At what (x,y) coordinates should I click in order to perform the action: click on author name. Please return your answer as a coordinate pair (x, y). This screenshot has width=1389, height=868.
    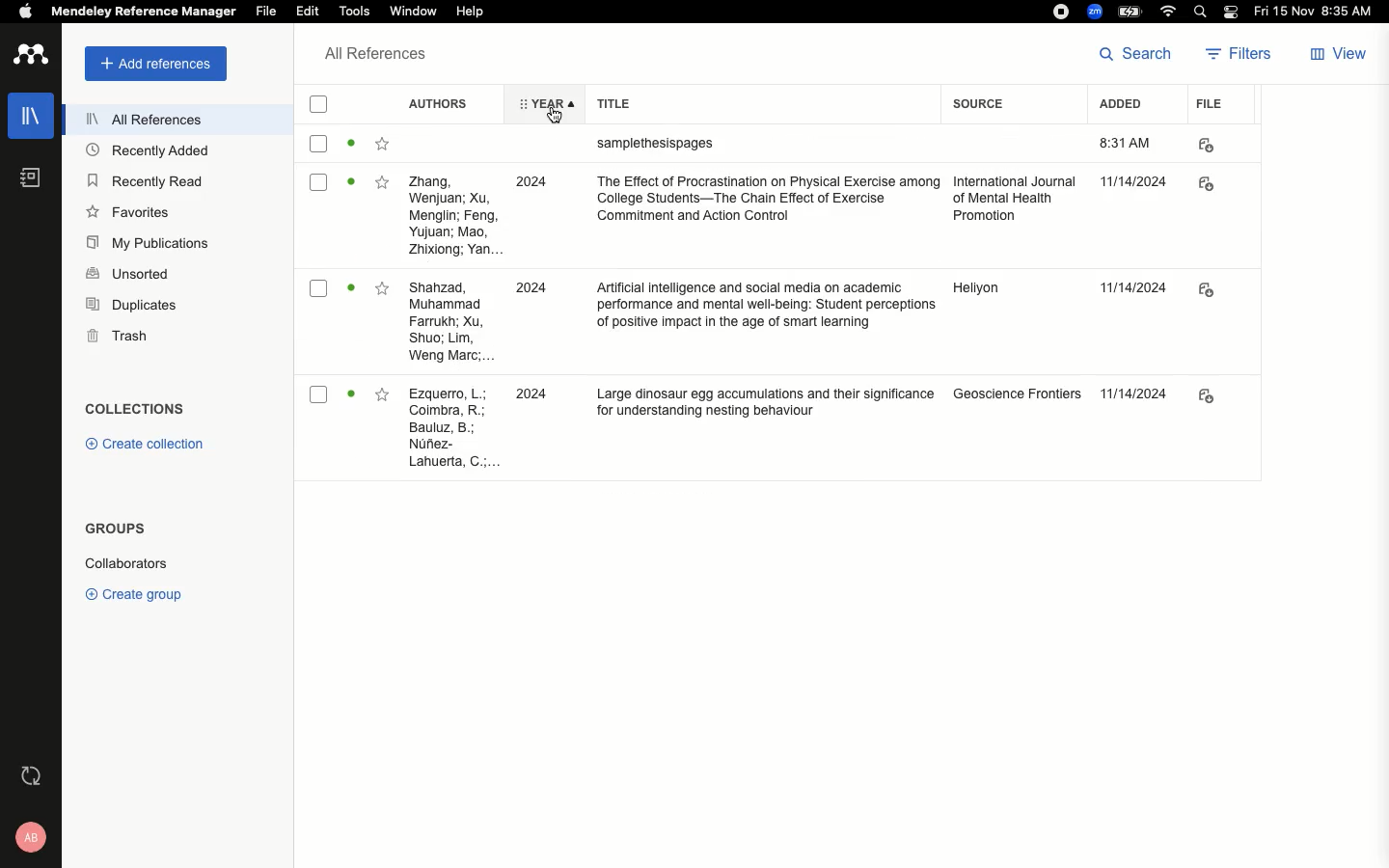
    Looking at the image, I should click on (452, 320).